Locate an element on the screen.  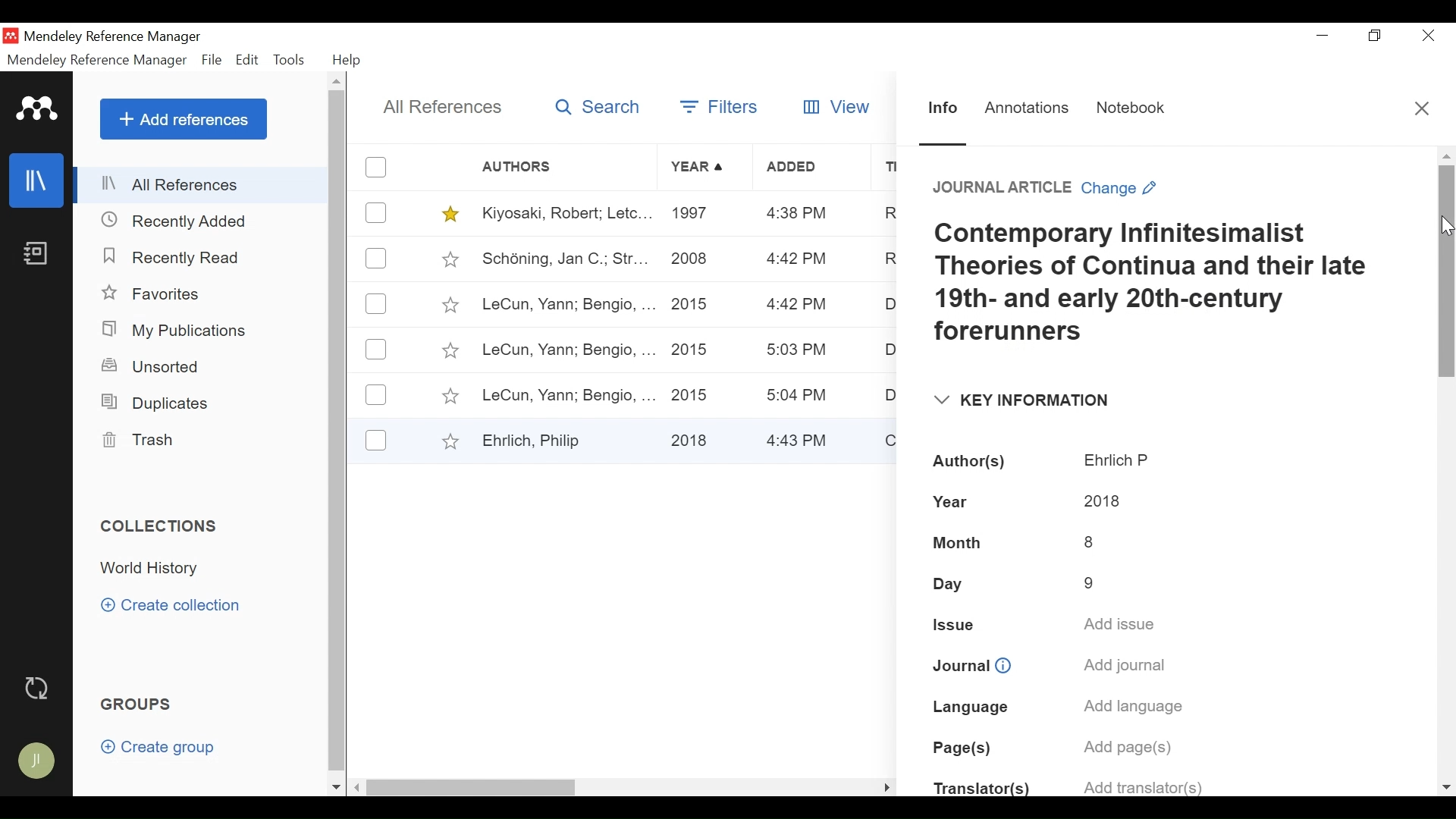
2018 is located at coordinates (693, 438).